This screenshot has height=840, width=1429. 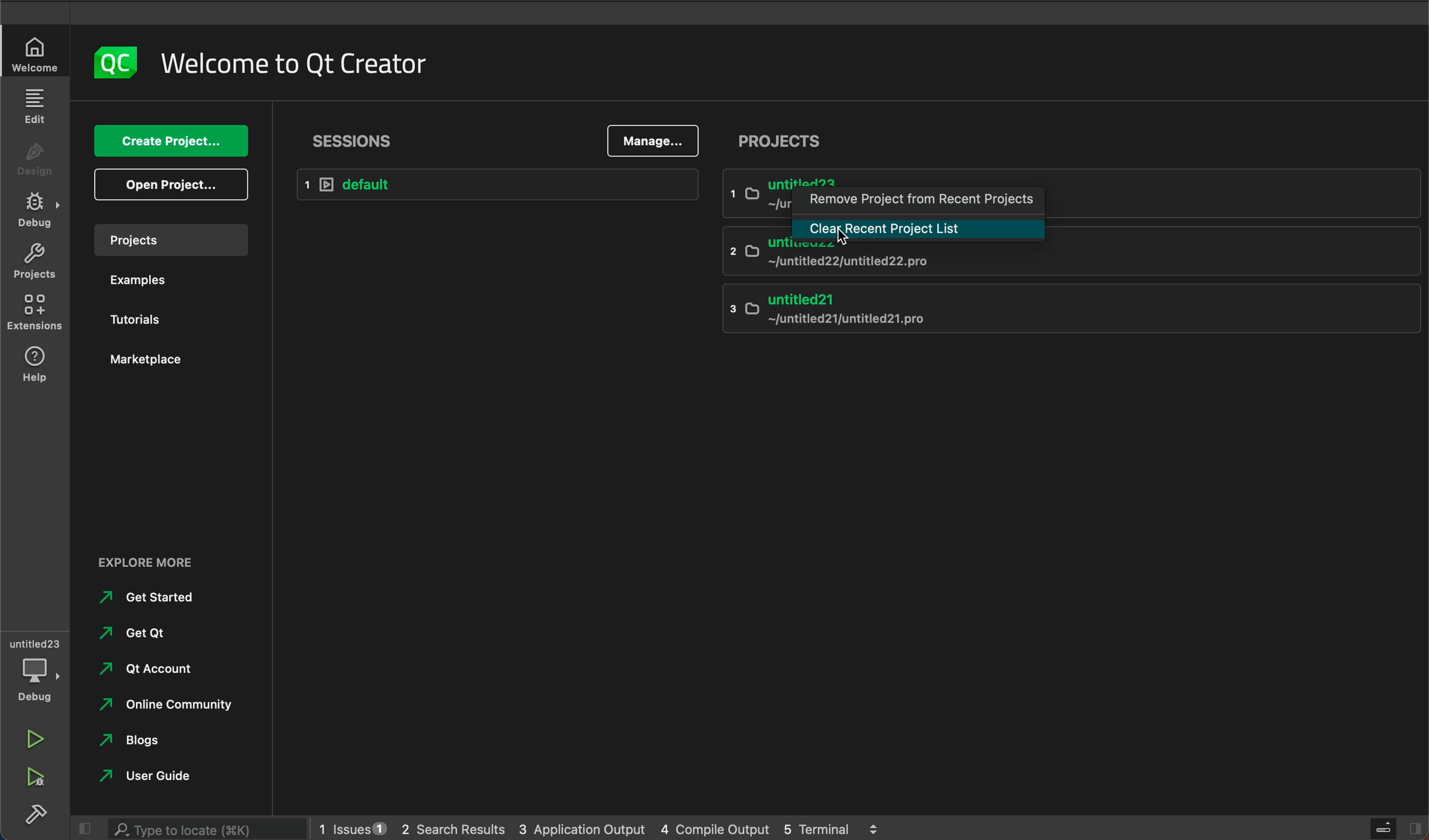 I want to click on cursor, so click(x=849, y=234).